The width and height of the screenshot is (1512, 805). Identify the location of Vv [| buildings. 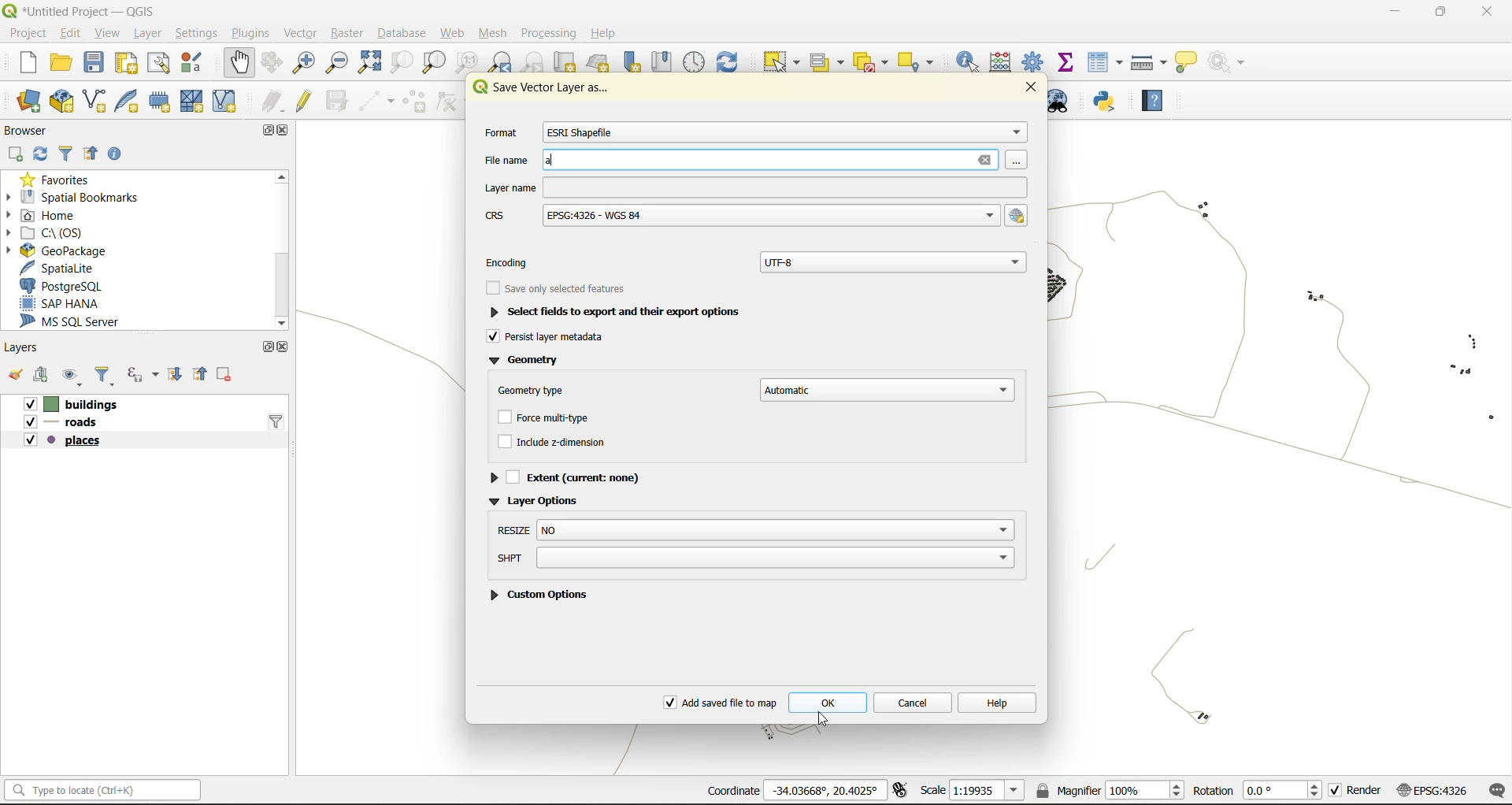
(78, 403).